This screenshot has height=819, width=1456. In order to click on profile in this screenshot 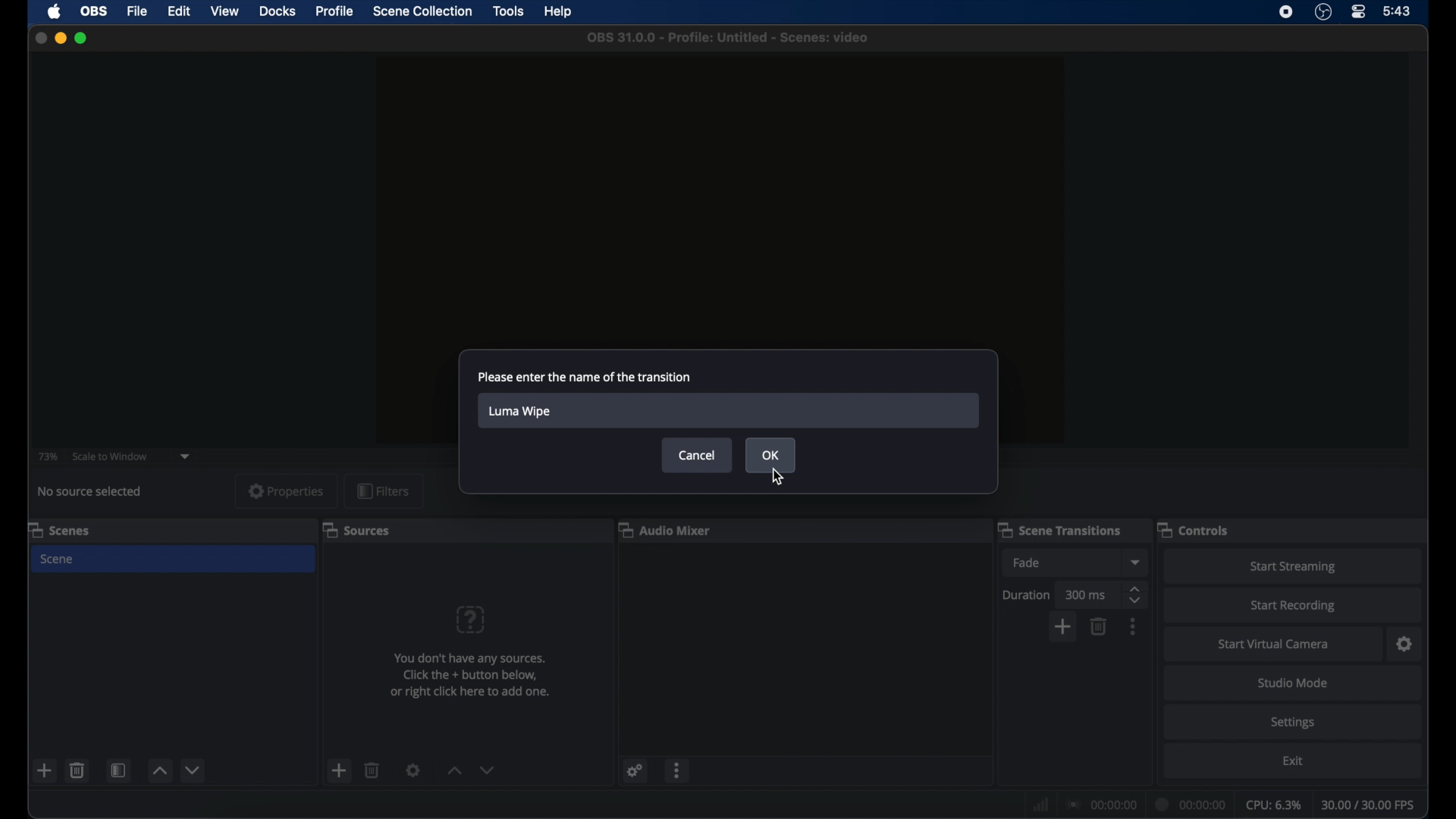, I will do `click(335, 11)`.